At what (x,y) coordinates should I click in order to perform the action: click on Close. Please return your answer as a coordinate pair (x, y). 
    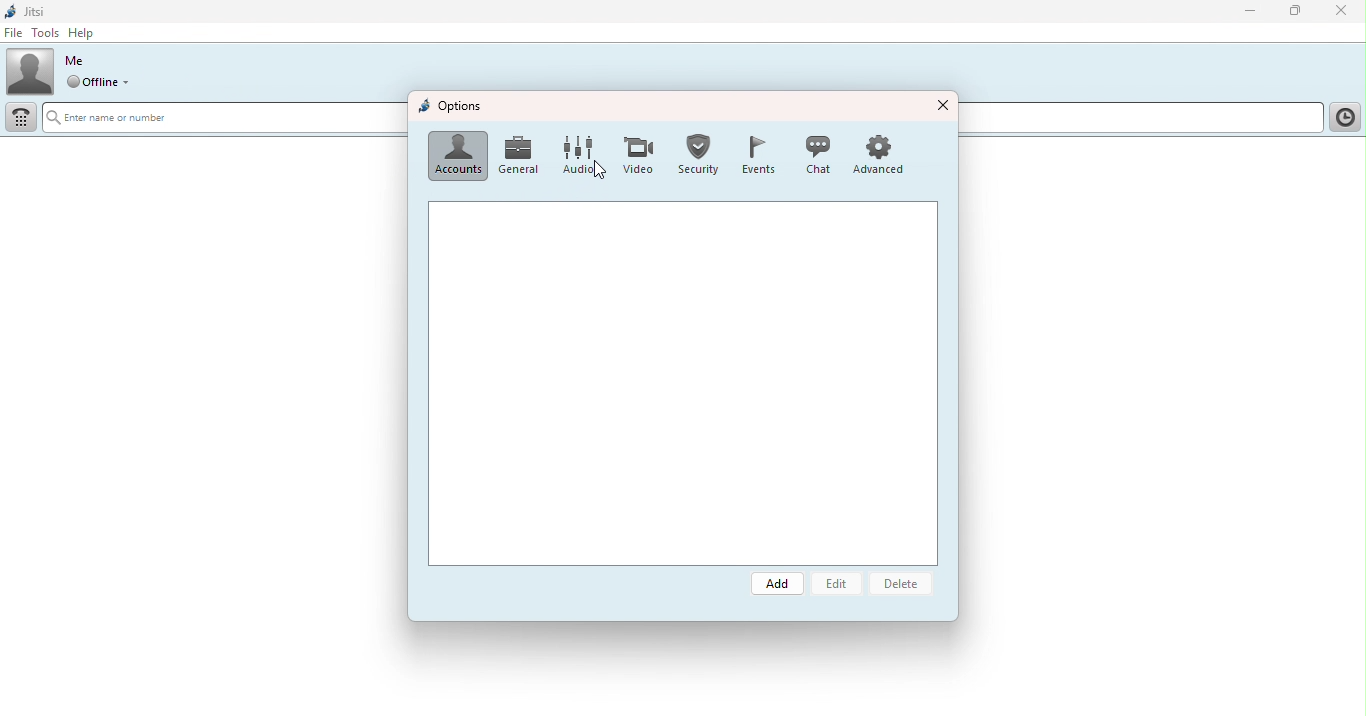
    Looking at the image, I should click on (941, 103).